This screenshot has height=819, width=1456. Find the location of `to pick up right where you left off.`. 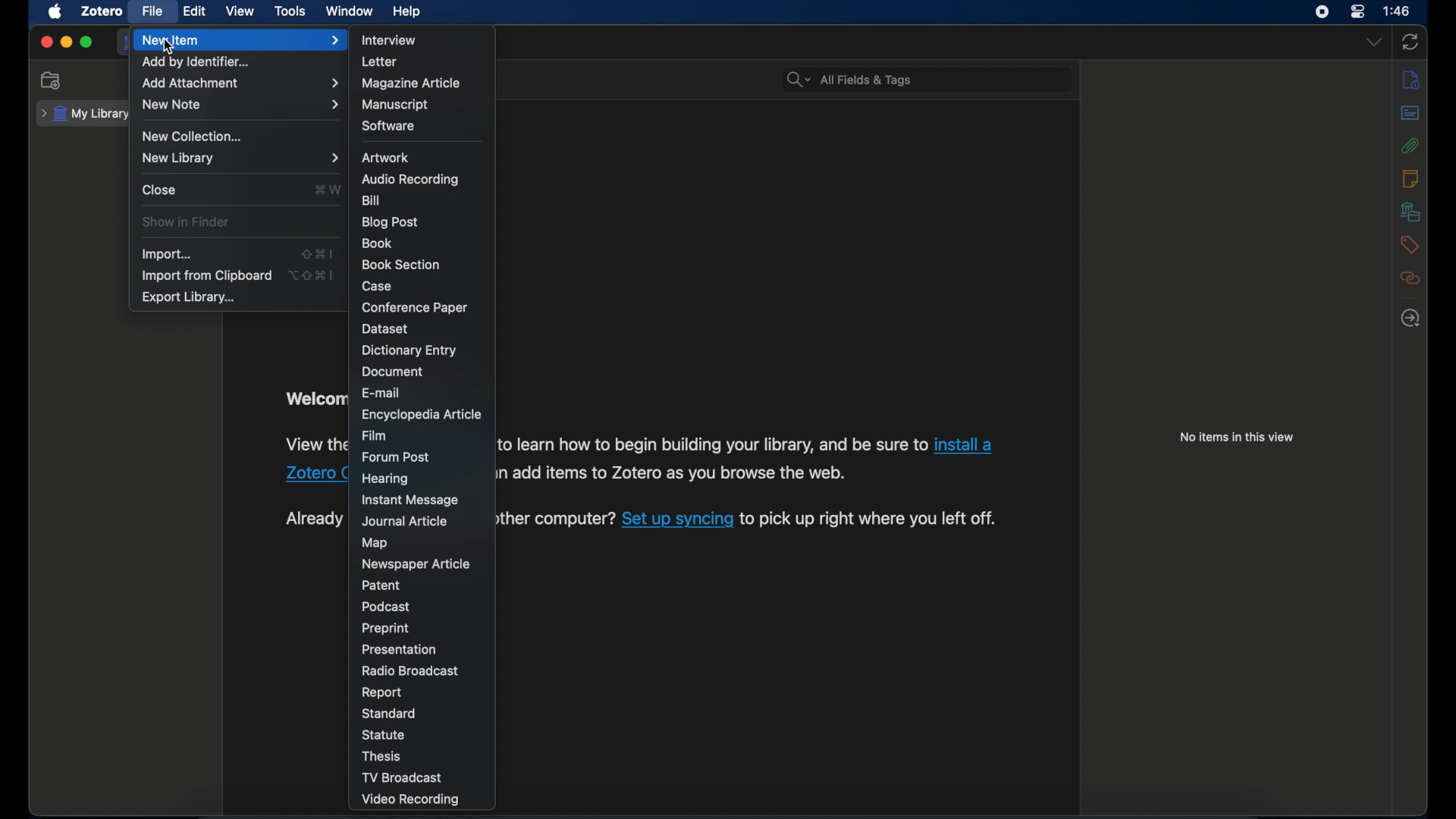

to pick up right where you left off. is located at coordinates (869, 520).